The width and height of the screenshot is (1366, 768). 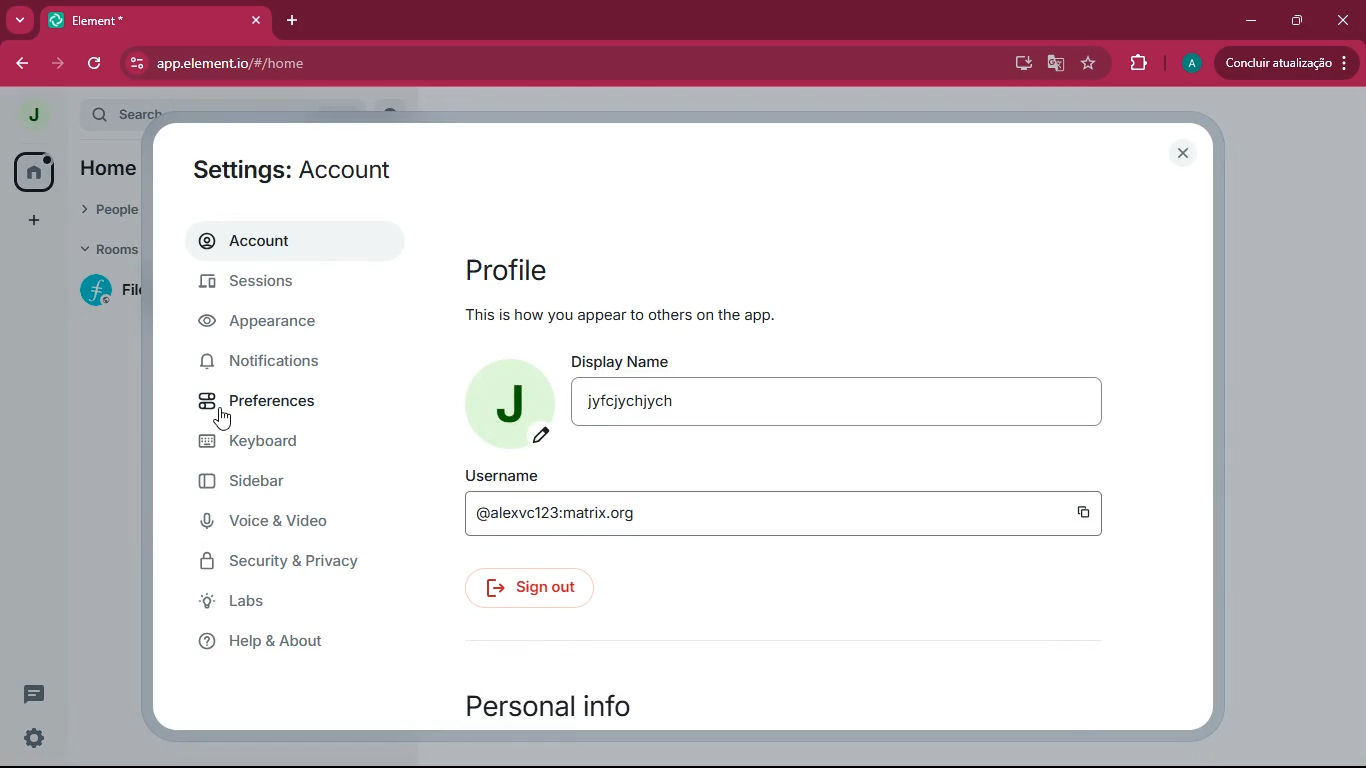 What do you see at coordinates (107, 206) in the screenshot?
I see `people` at bounding box center [107, 206].